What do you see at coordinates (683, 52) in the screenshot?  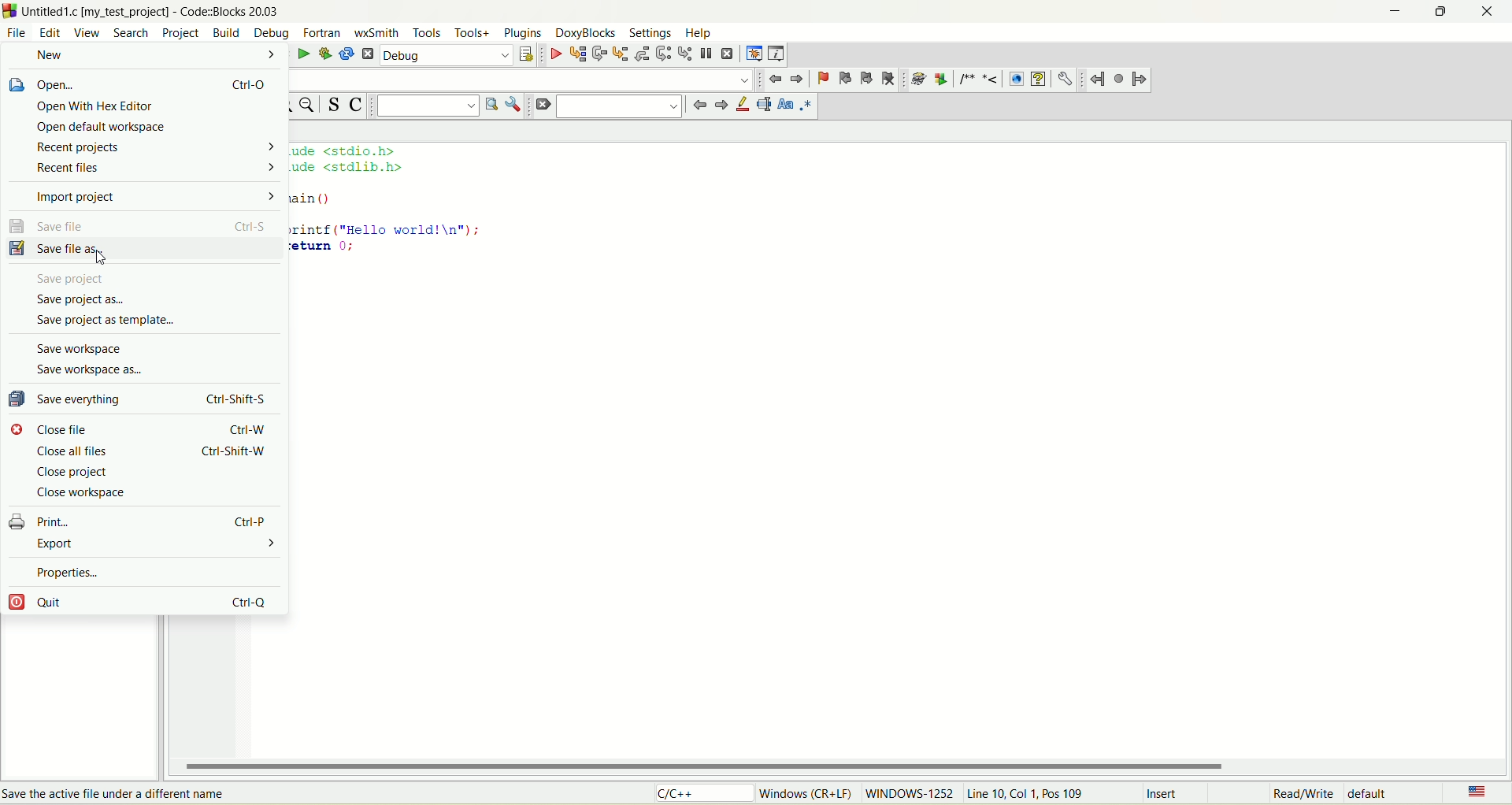 I see `step into instruction` at bounding box center [683, 52].